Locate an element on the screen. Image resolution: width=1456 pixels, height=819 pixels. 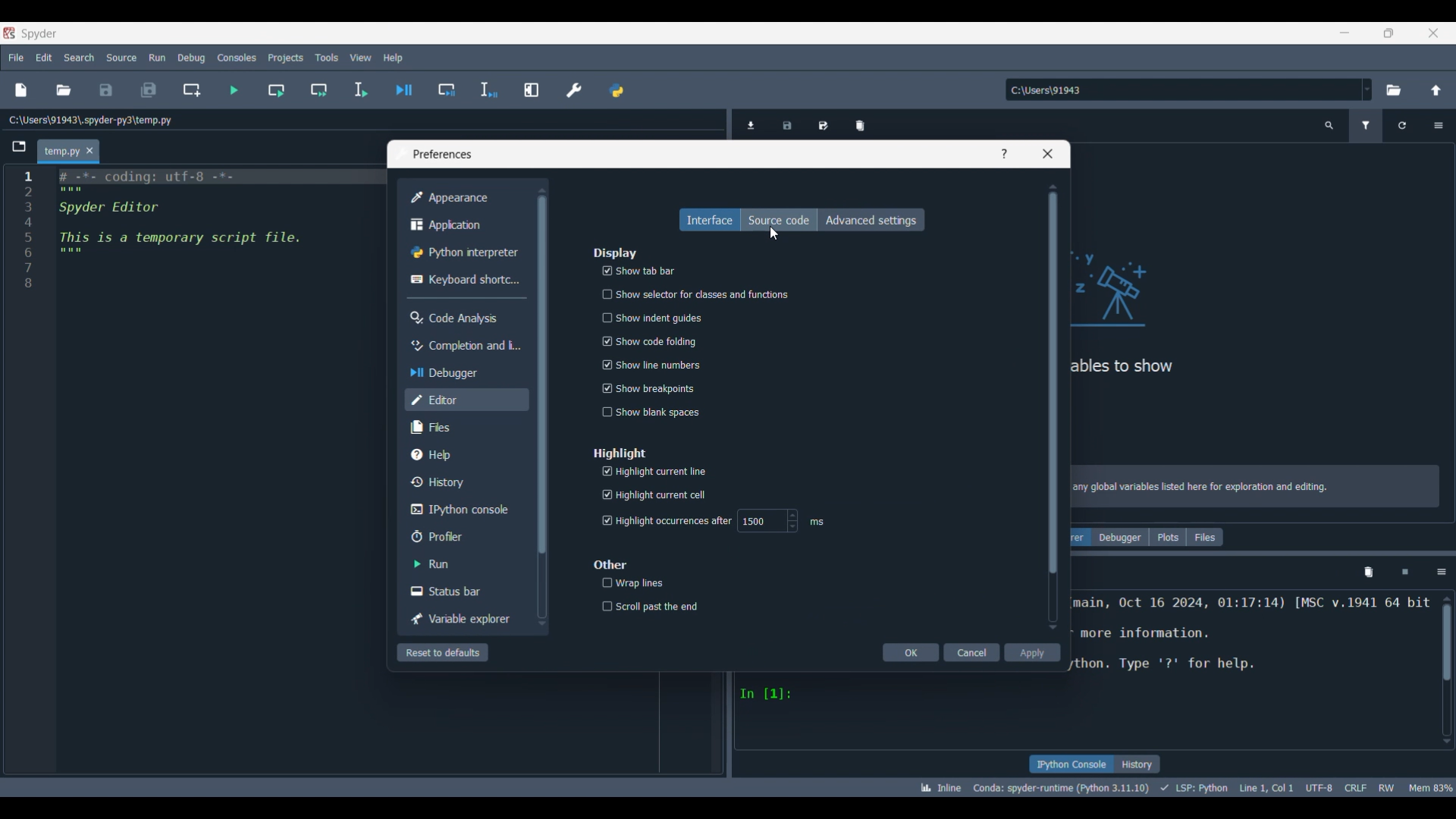
Highlight current cell is located at coordinates (659, 495).